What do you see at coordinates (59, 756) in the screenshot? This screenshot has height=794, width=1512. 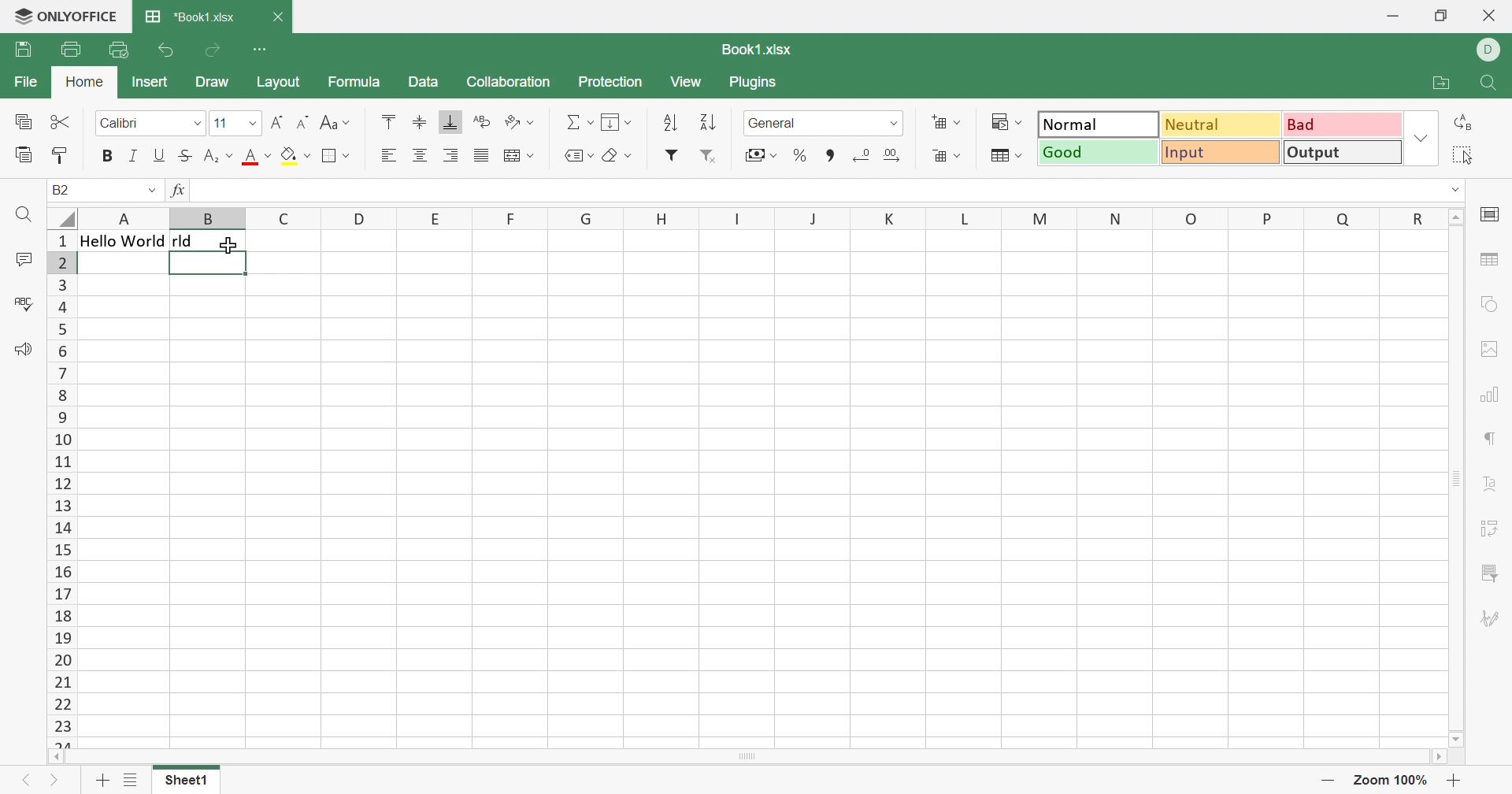 I see `Scroll Left` at bounding box center [59, 756].